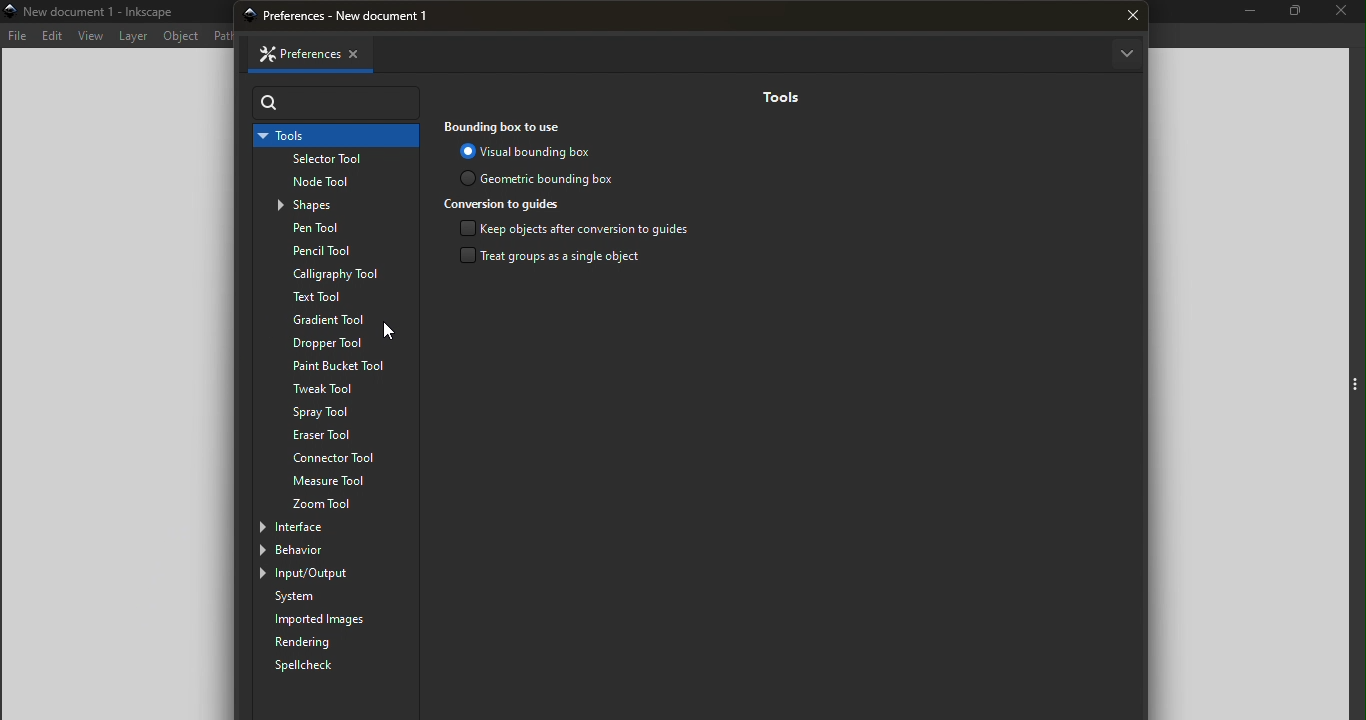 This screenshot has height=720, width=1366. What do you see at coordinates (340, 597) in the screenshot?
I see `System` at bounding box center [340, 597].